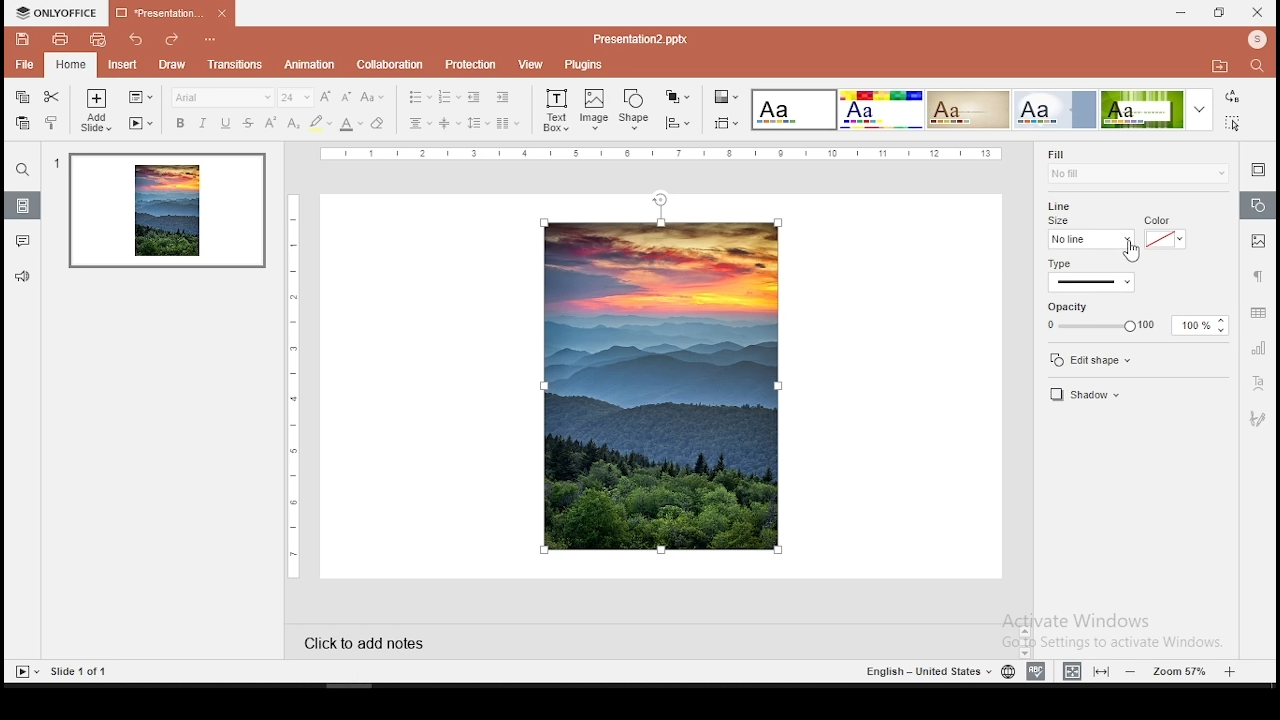 Image resolution: width=1280 pixels, height=720 pixels. Describe the element at coordinates (86, 671) in the screenshot. I see `slide 1 of 1` at that location.